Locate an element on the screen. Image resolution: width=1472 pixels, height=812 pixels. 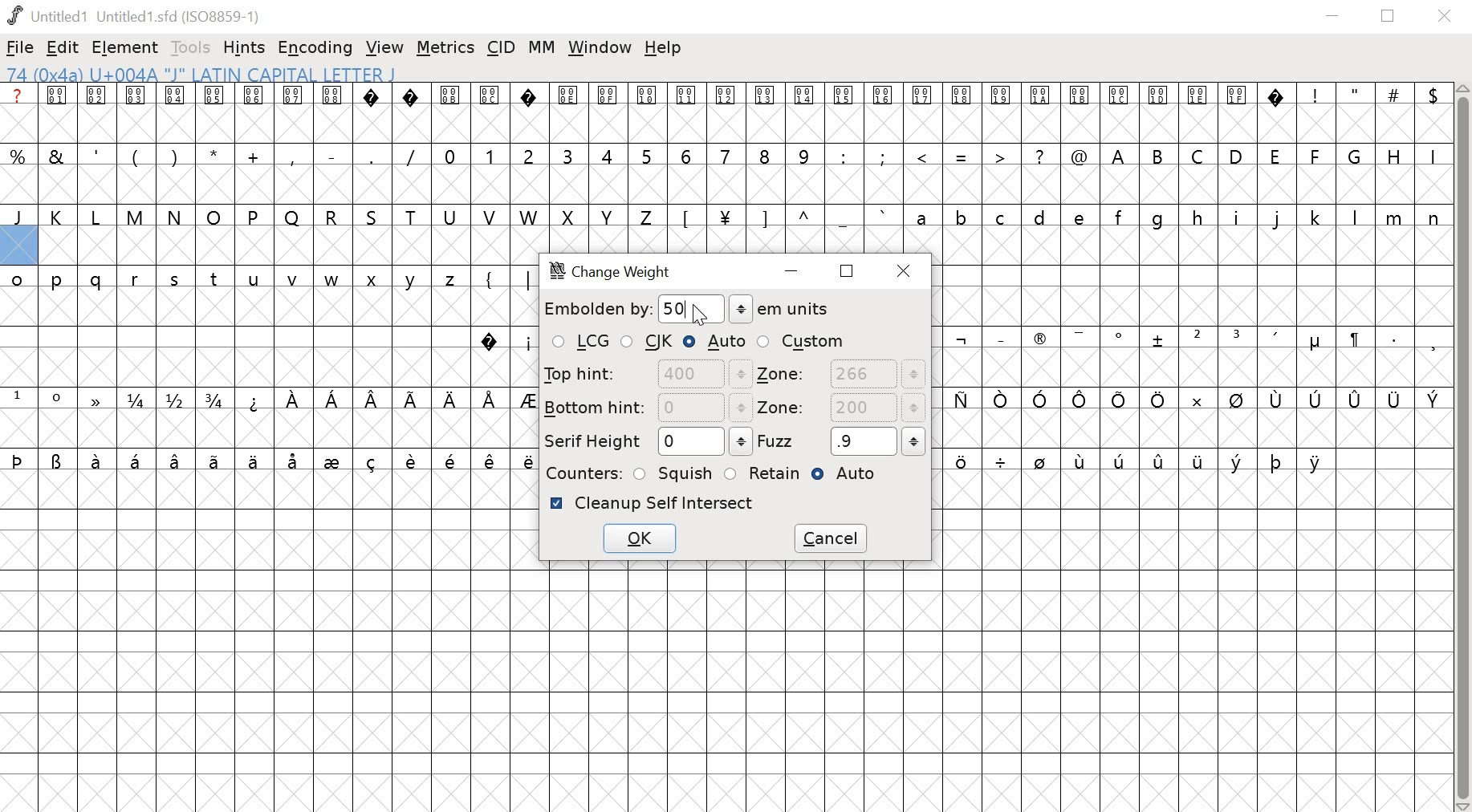
special characters is located at coordinates (958, 158).